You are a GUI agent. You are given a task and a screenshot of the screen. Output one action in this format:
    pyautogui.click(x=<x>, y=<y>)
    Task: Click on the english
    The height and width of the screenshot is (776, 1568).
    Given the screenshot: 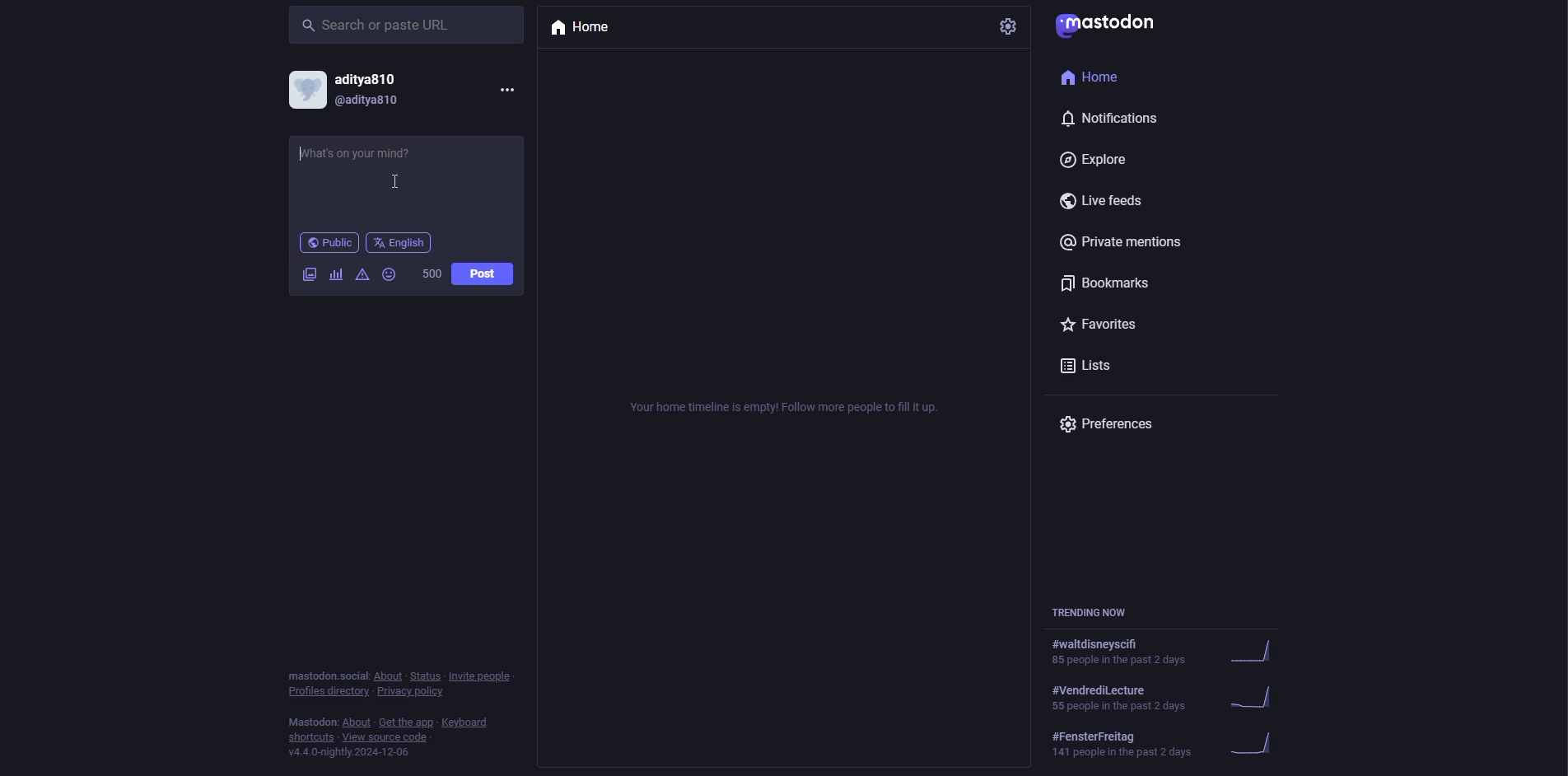 What is the action you would take?
    pyautogui.click(x=399, y=243)
    